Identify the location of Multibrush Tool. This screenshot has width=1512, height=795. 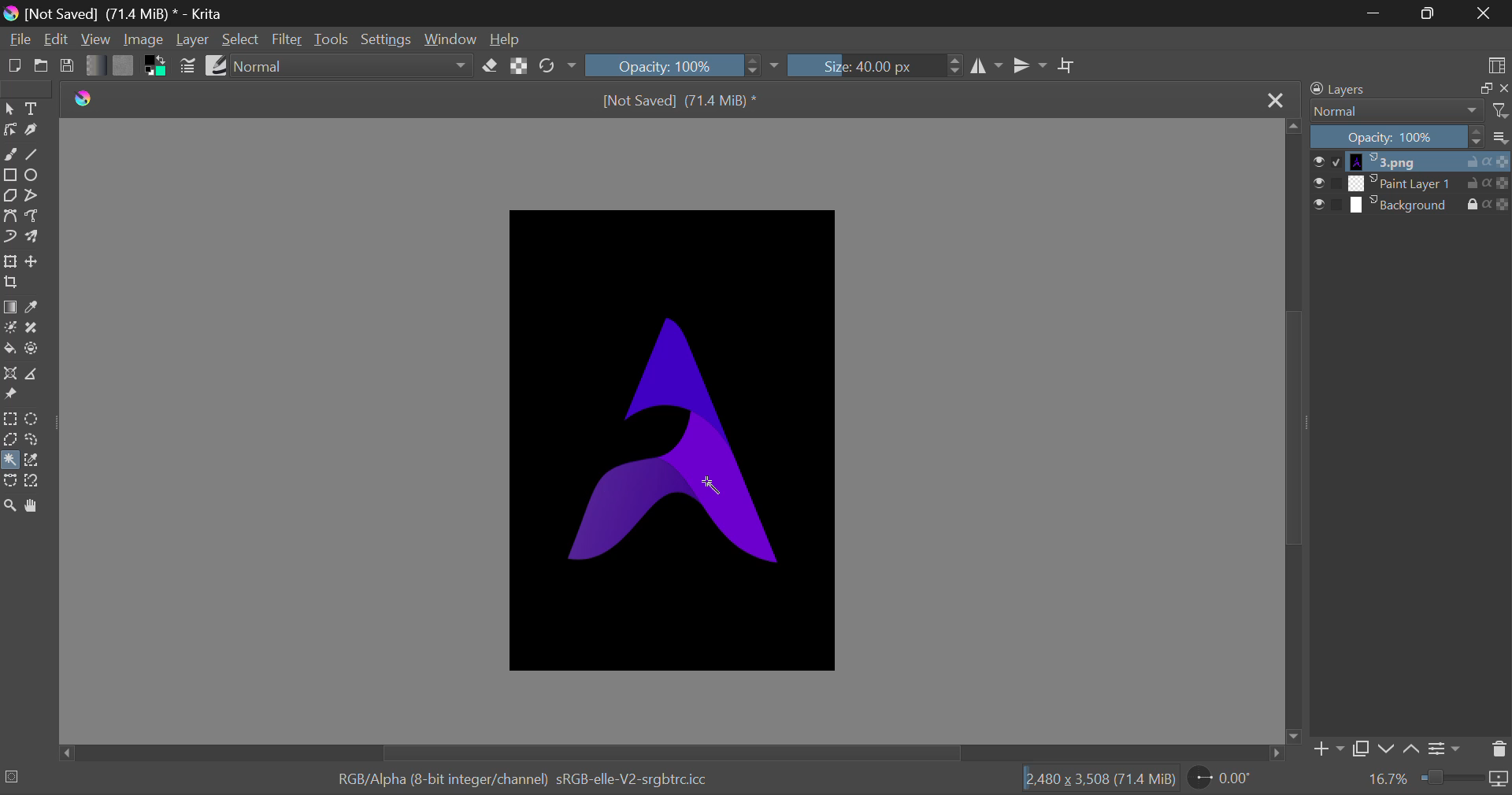
(35, 239).